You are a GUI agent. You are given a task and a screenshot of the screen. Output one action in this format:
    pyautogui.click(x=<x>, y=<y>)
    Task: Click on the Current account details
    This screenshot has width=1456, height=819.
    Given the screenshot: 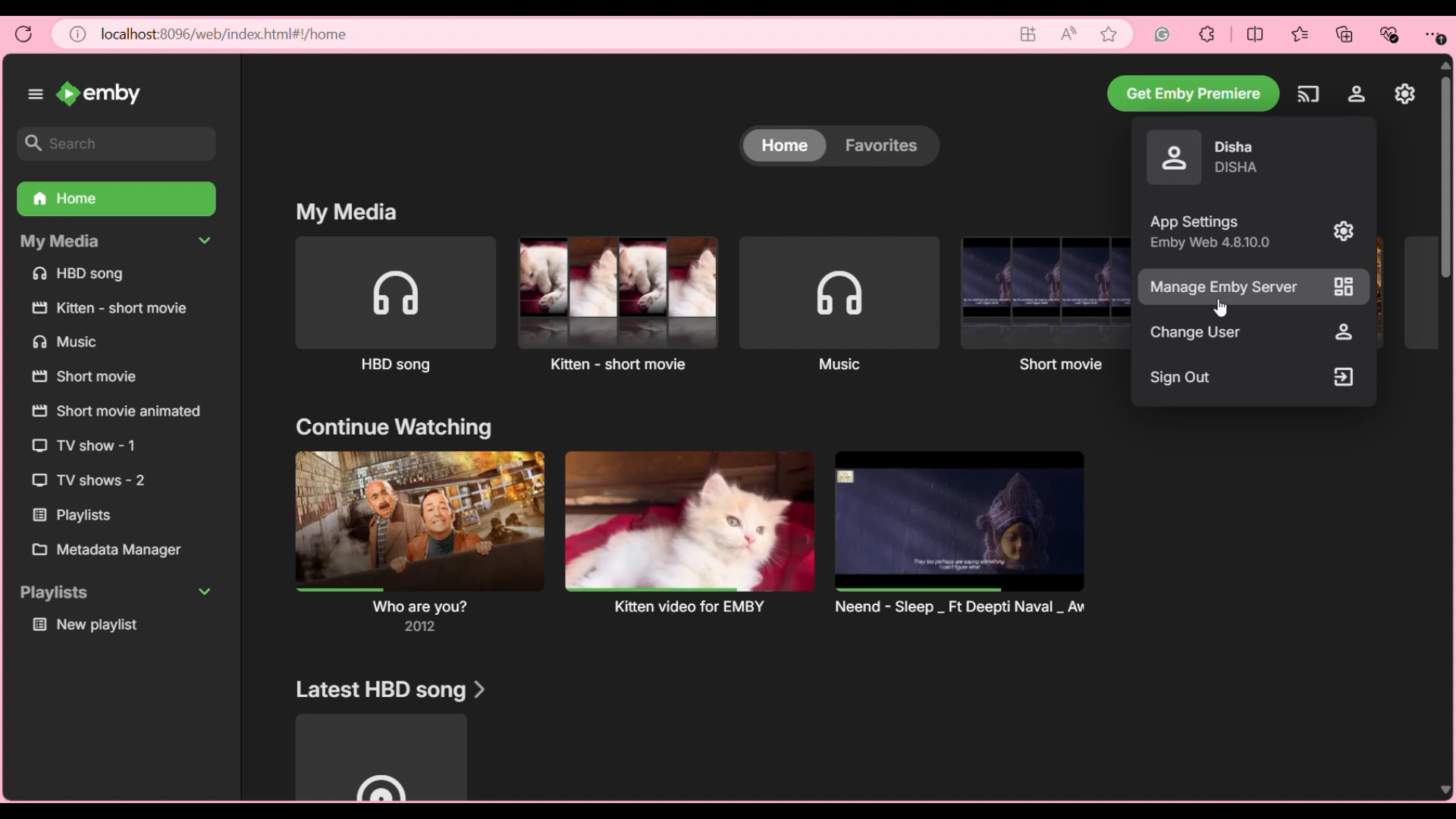 What is the action you would take?
    pyautogui.click(x=1253, y=157)
    